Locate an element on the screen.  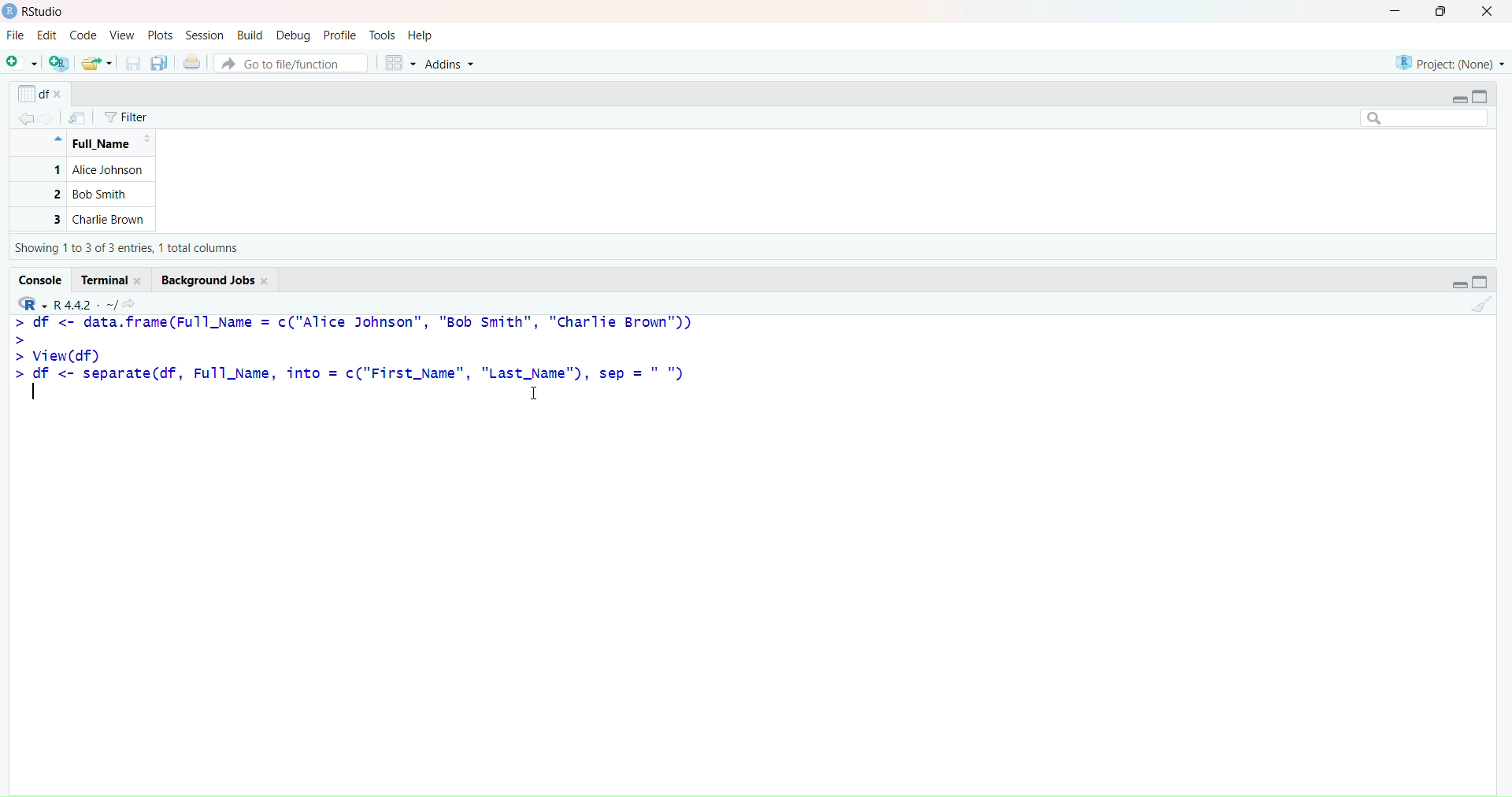
showing 1 to 3 of 3 entries, 1 total columns is located at coordinates (132, 250).